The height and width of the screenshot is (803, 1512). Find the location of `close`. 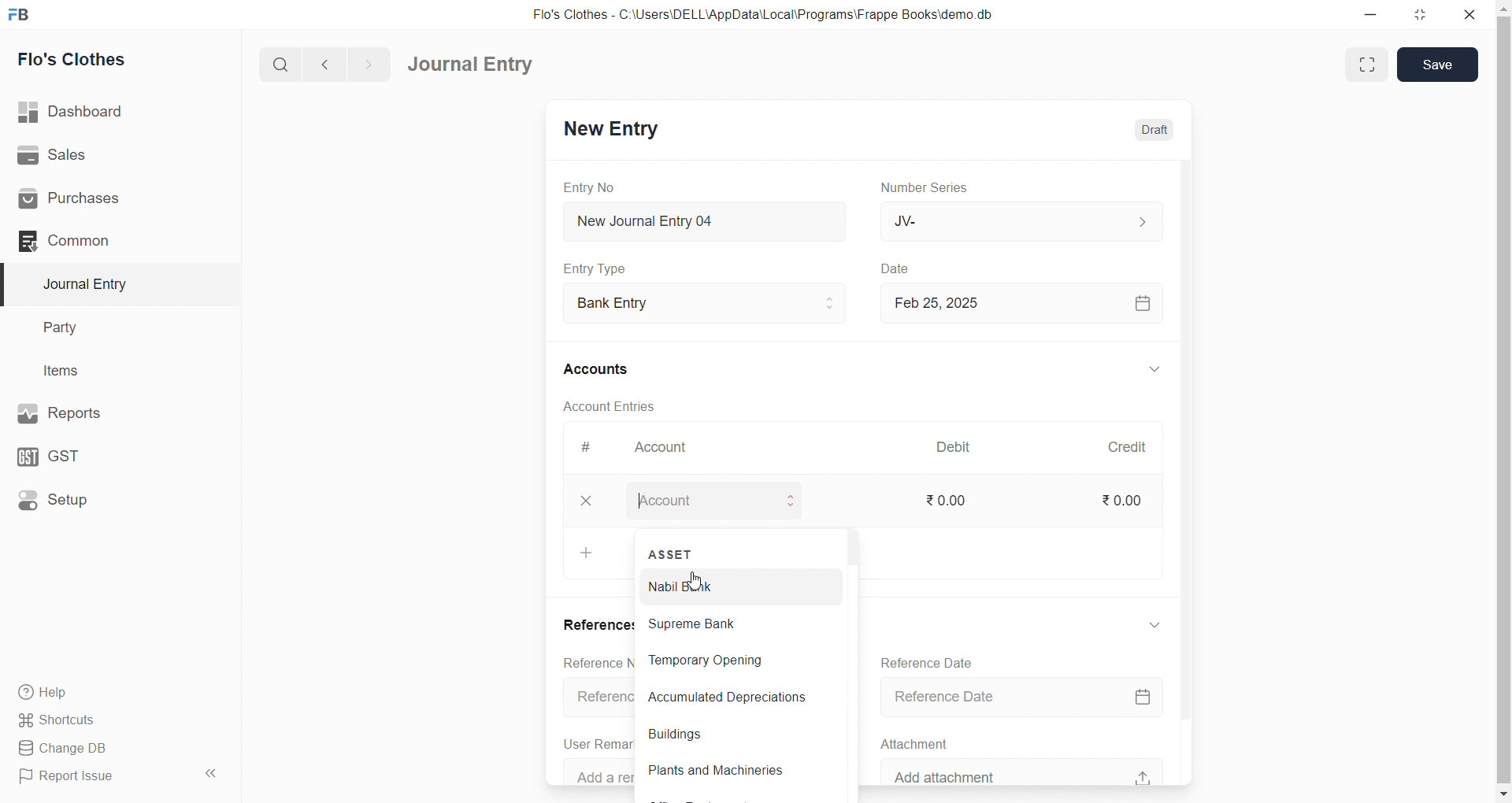

close is located at coordinates (587, 500).